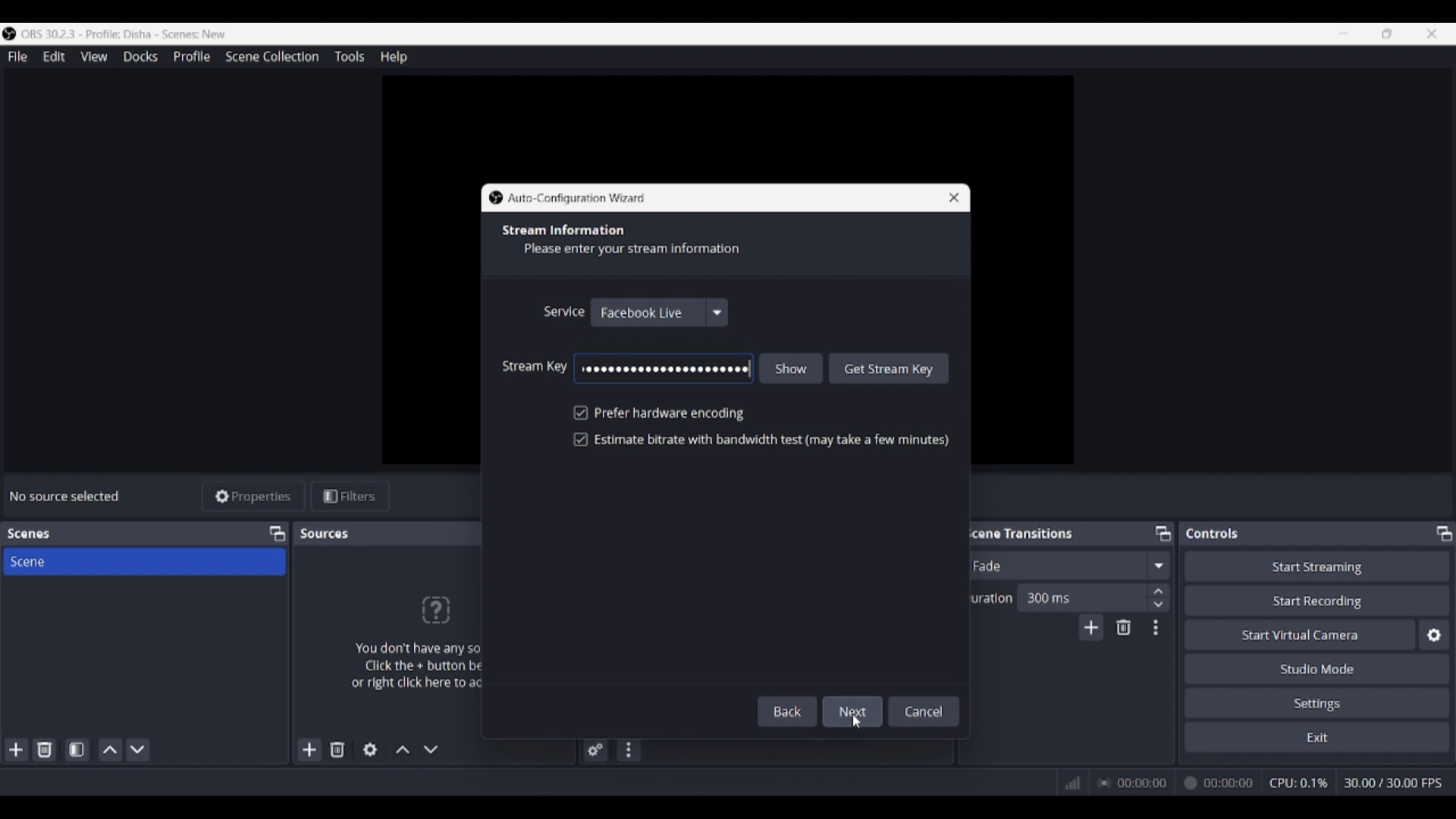 This screenshot has width=1456, height=819. Describe the element at coordinates (577, 199) in the screenshot. I see `Window title` at that location.